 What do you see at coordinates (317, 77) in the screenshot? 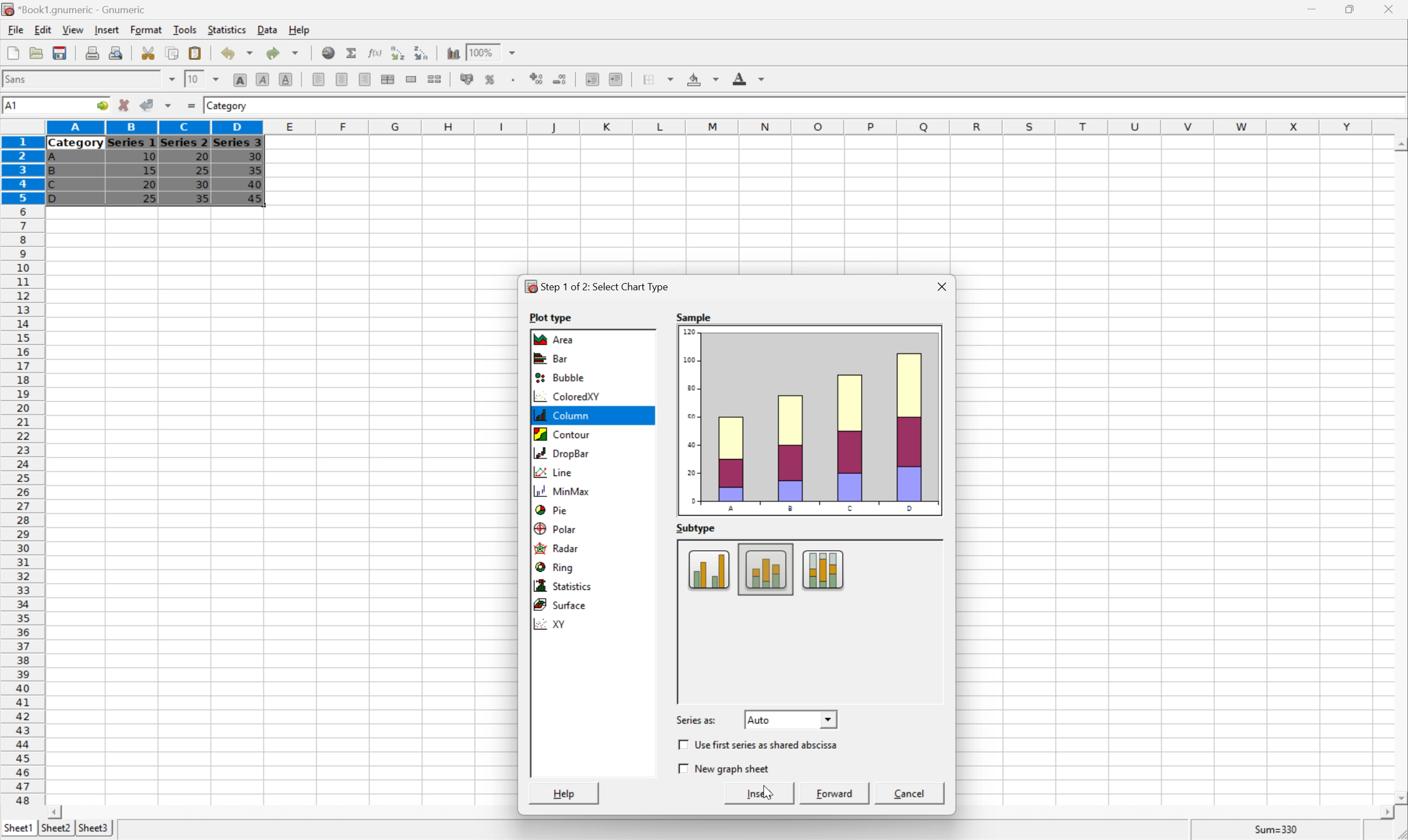
I see `Align Left` at bounding box center [317, 77].